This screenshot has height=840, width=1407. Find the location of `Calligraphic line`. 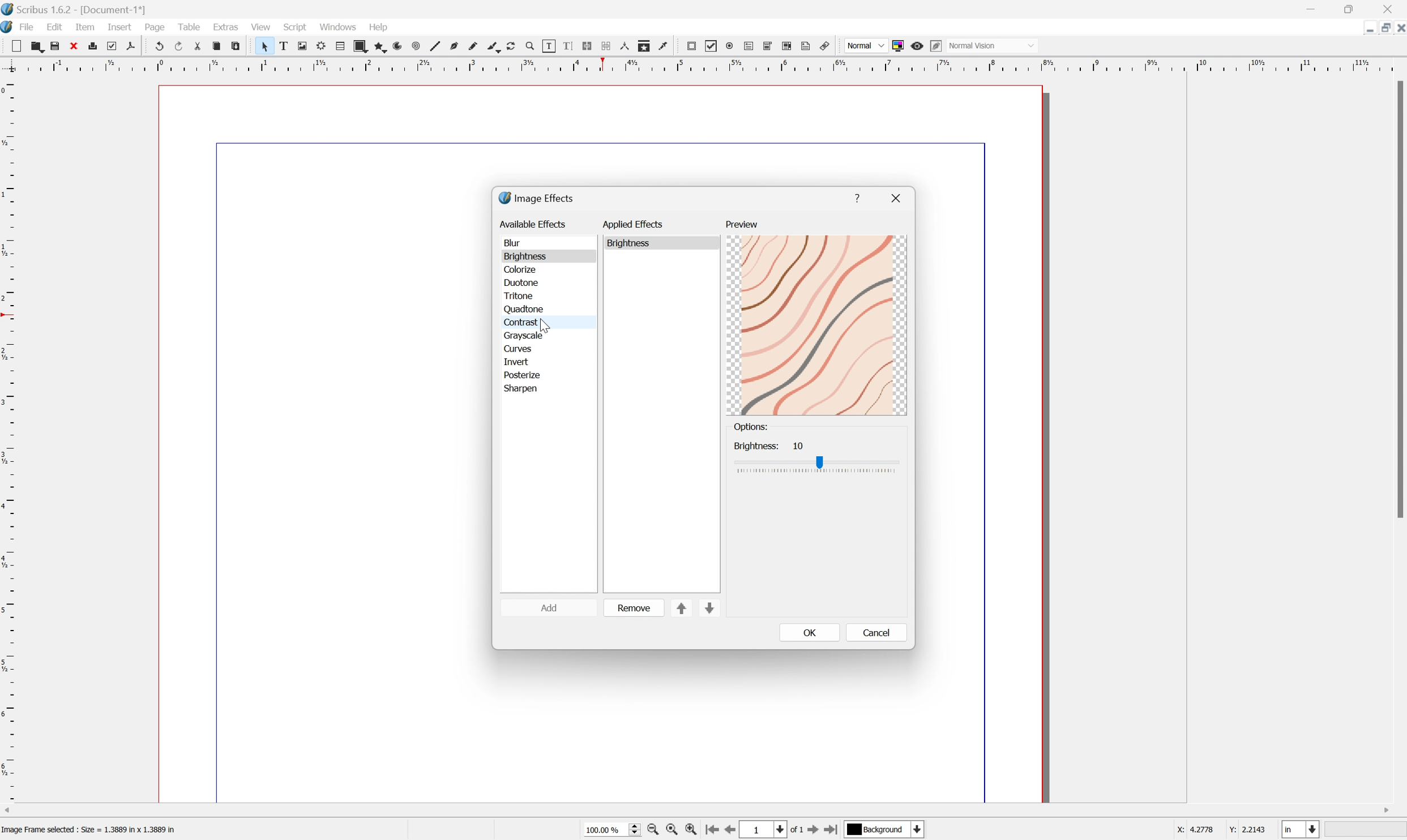

Calligraphic line is located at coordinates (496, 48).